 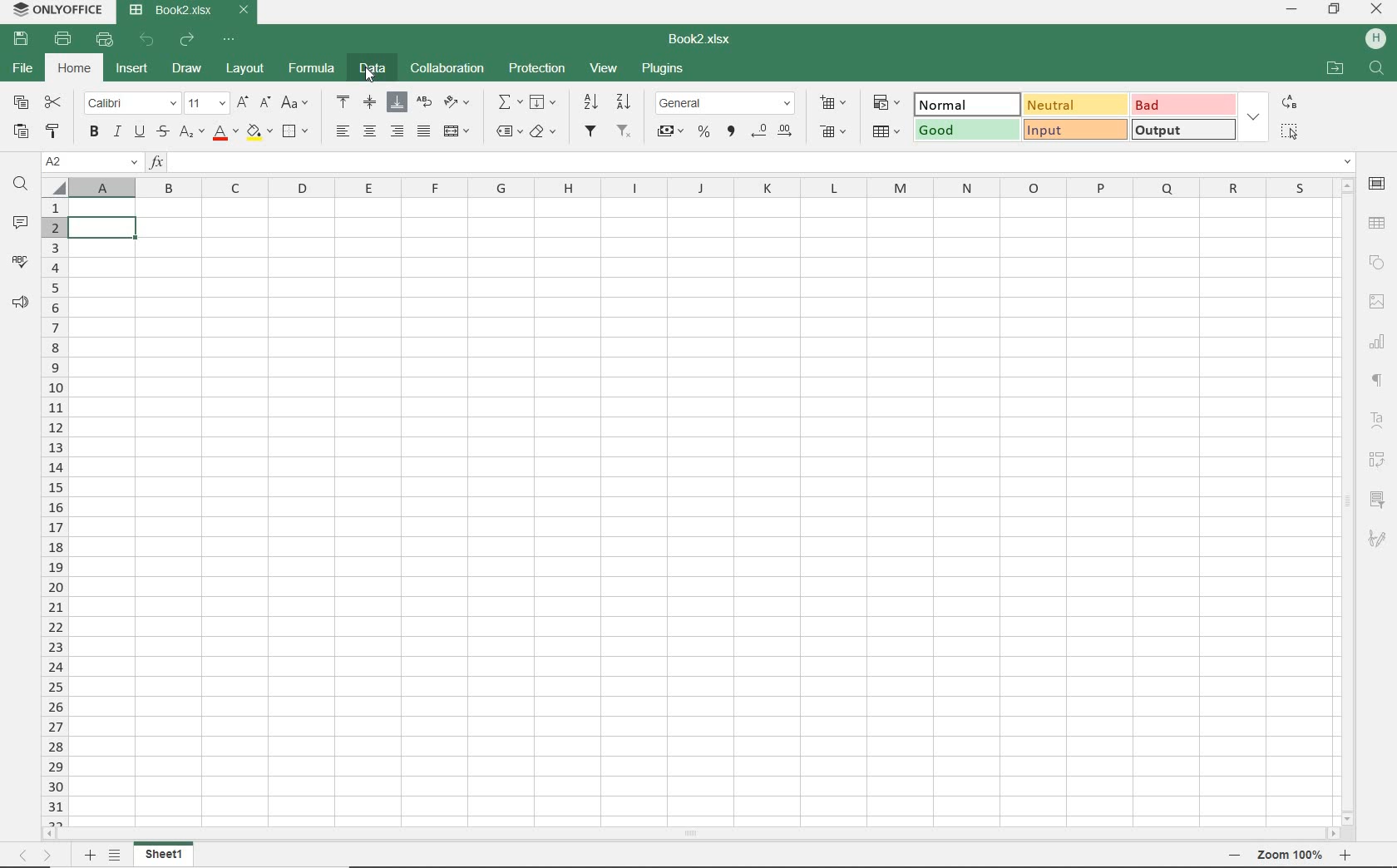 I want to click on INSERT, so click(x=133, y=66).